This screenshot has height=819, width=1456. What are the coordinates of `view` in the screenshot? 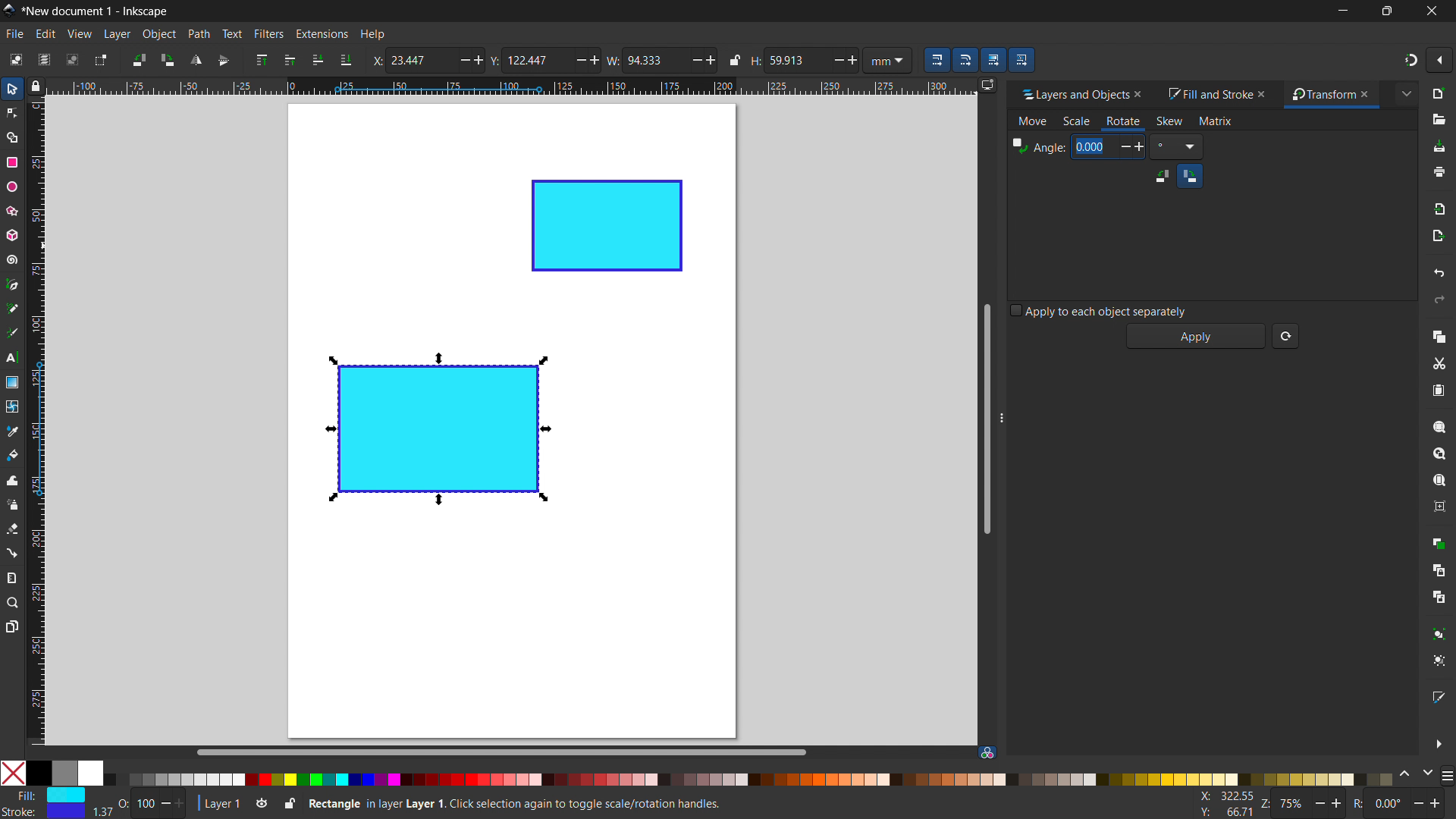 It's located at (79, 34).